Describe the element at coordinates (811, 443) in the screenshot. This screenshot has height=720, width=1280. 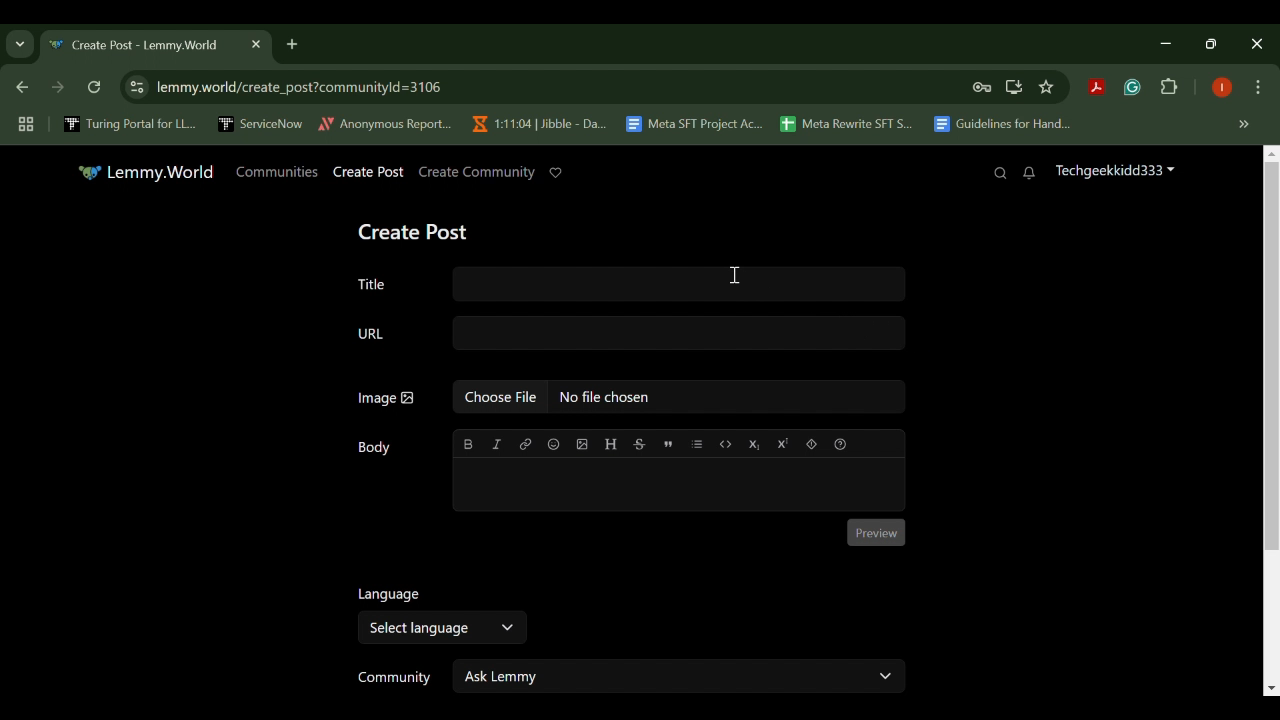
I see `spoiler` at that location.